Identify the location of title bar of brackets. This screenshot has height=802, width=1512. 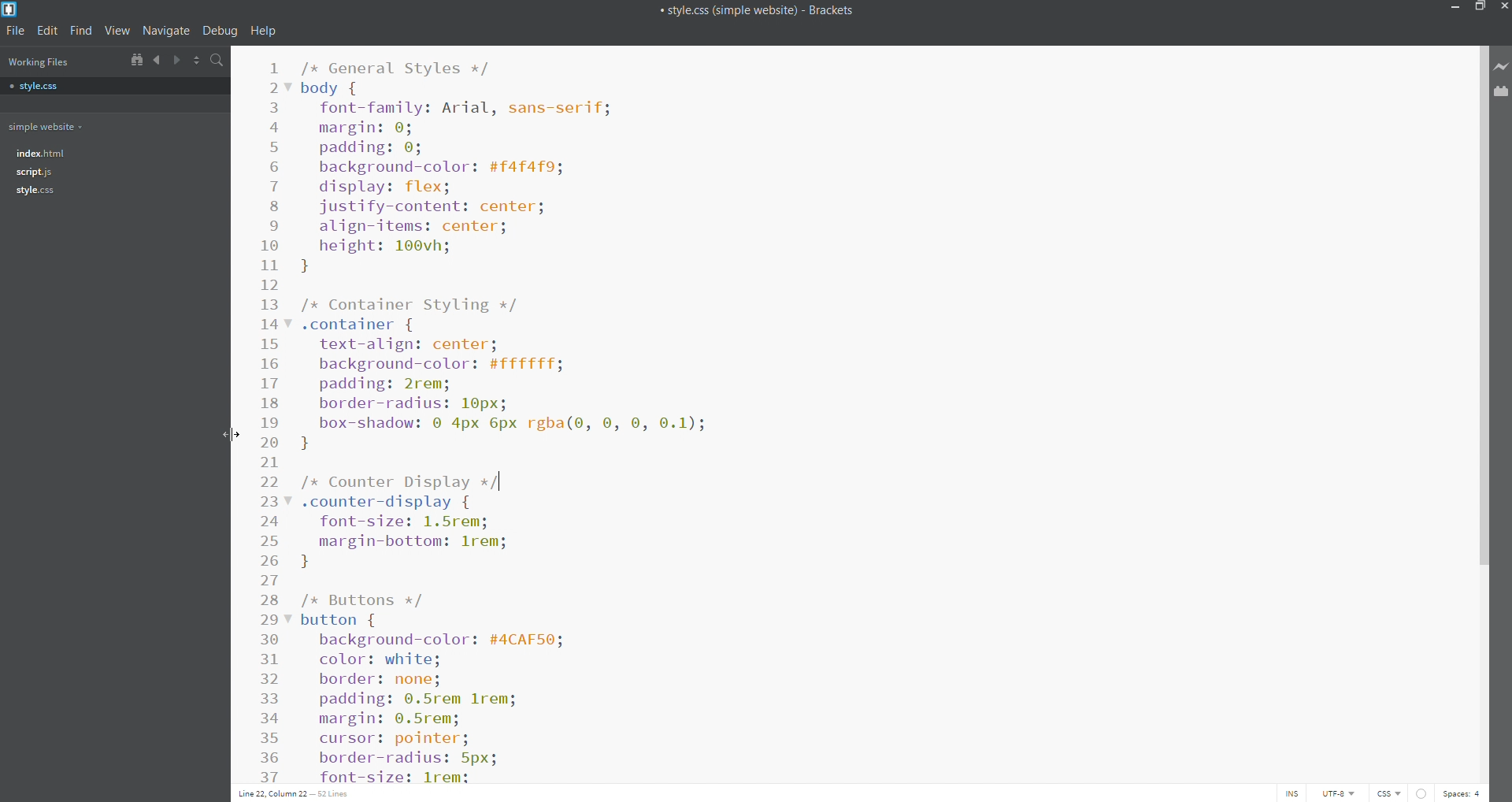
(756, 9).